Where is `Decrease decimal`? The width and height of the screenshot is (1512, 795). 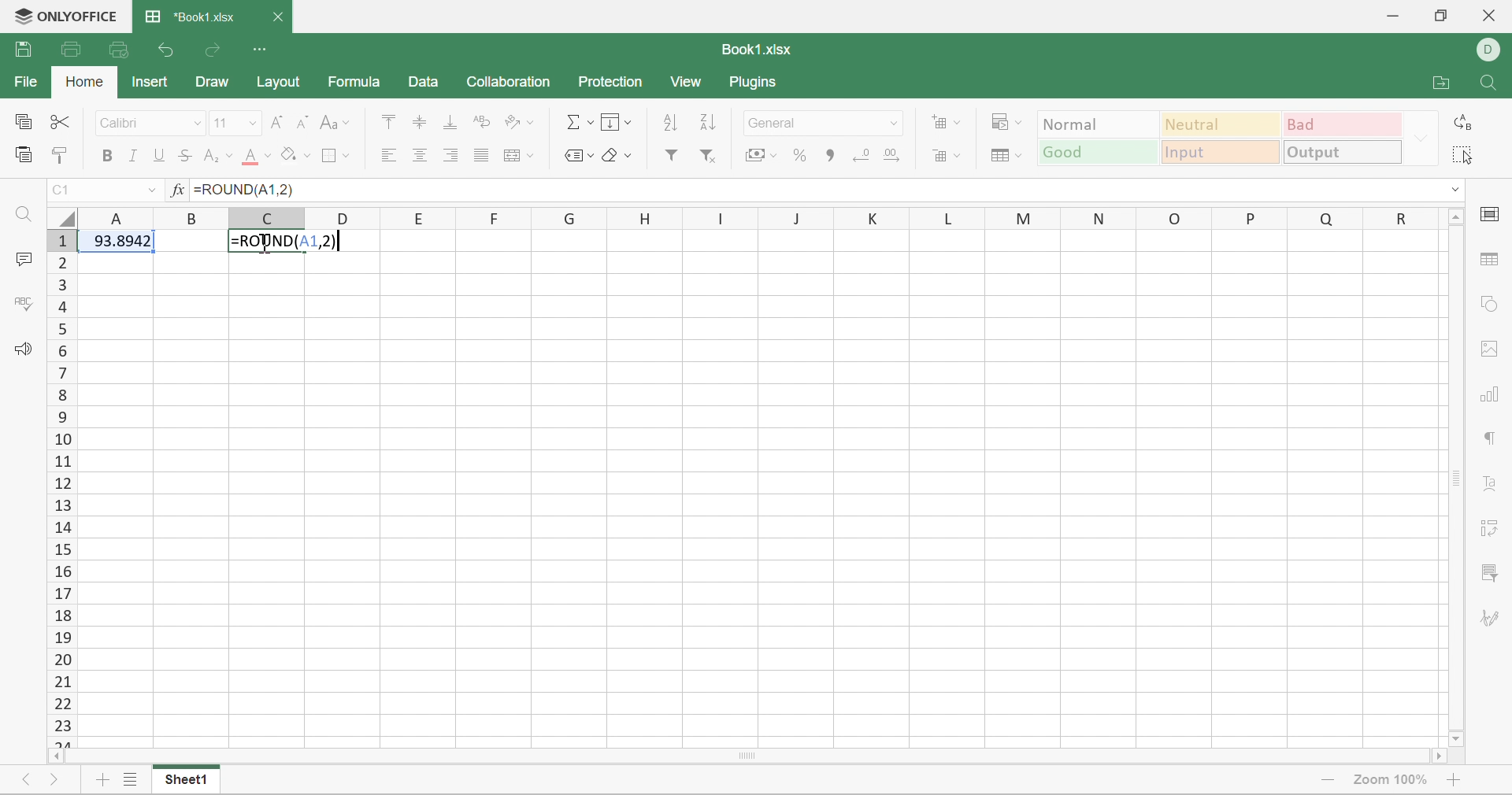 Decrease decimal is located at coordinates (859, 152).